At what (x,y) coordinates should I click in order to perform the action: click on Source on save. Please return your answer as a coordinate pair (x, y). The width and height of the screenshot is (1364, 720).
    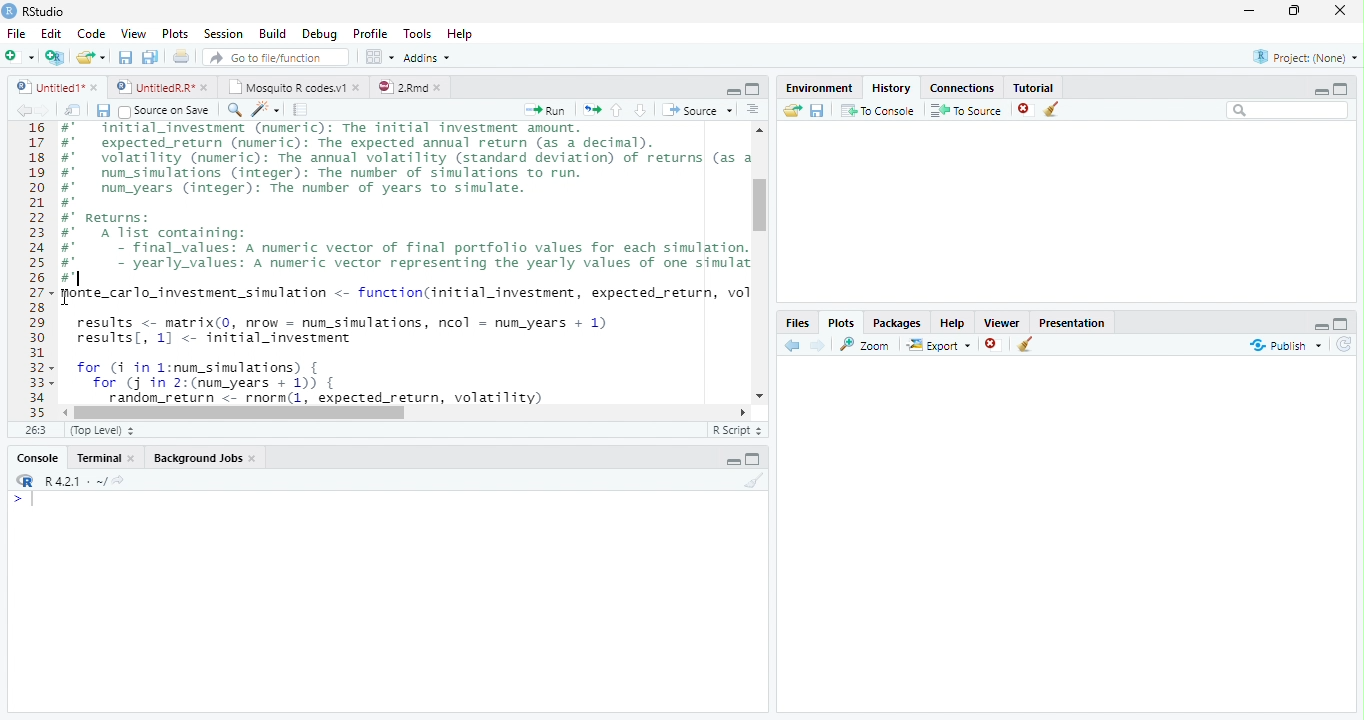
    Looking at the image, I should click on (166, 111).